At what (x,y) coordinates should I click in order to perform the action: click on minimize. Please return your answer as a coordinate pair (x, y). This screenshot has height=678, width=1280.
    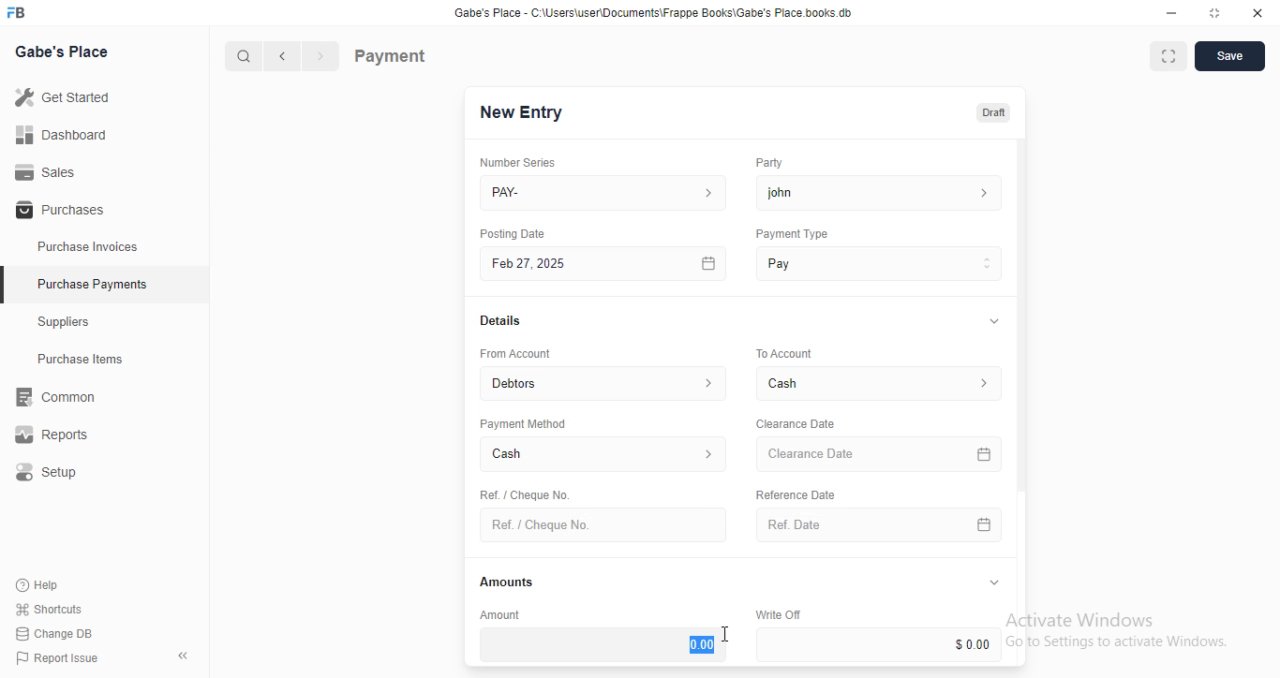
    Looking at the image, I should click on (1166, 12).